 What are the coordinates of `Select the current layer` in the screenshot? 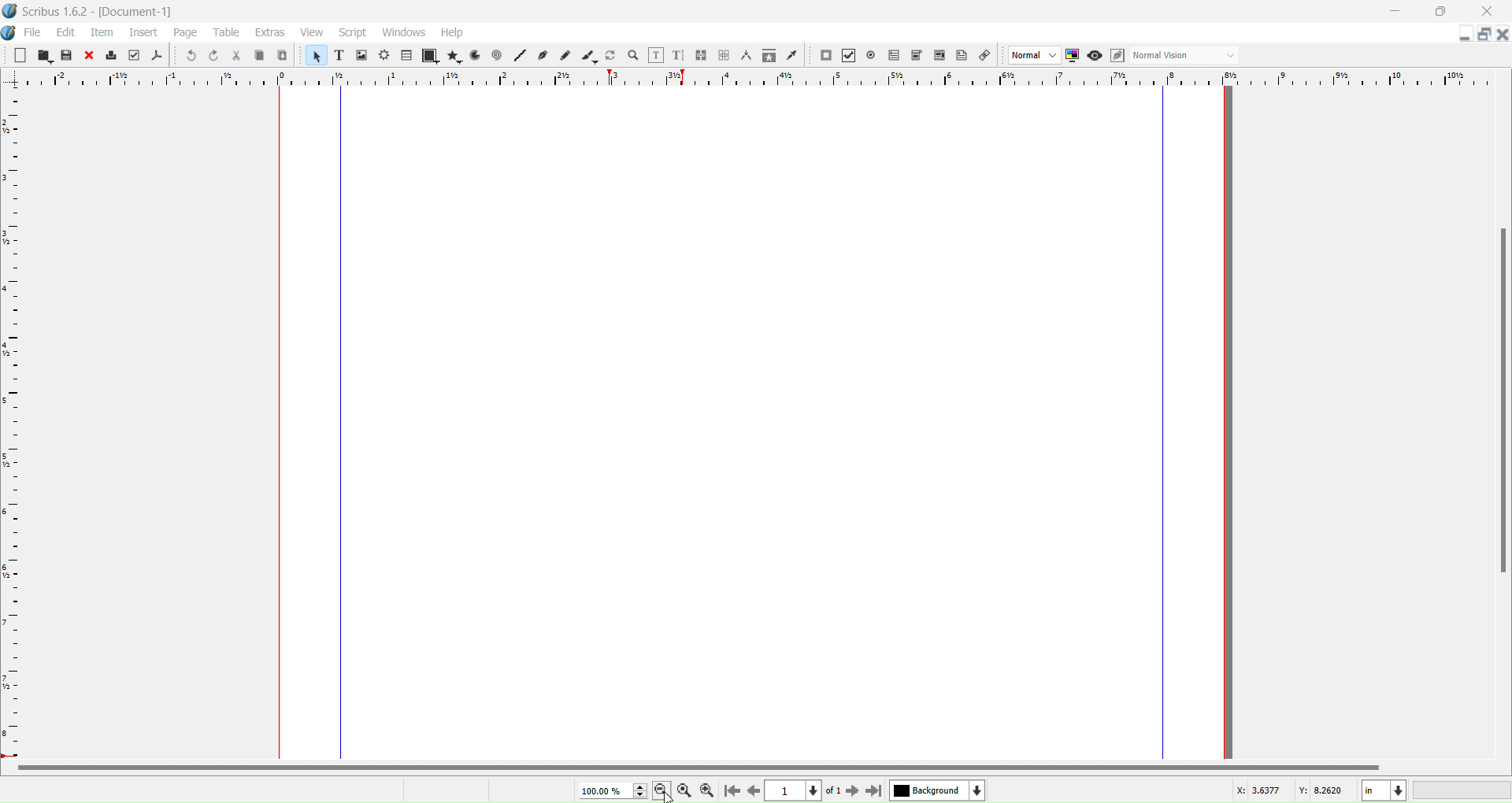 It's located at (938, 790).